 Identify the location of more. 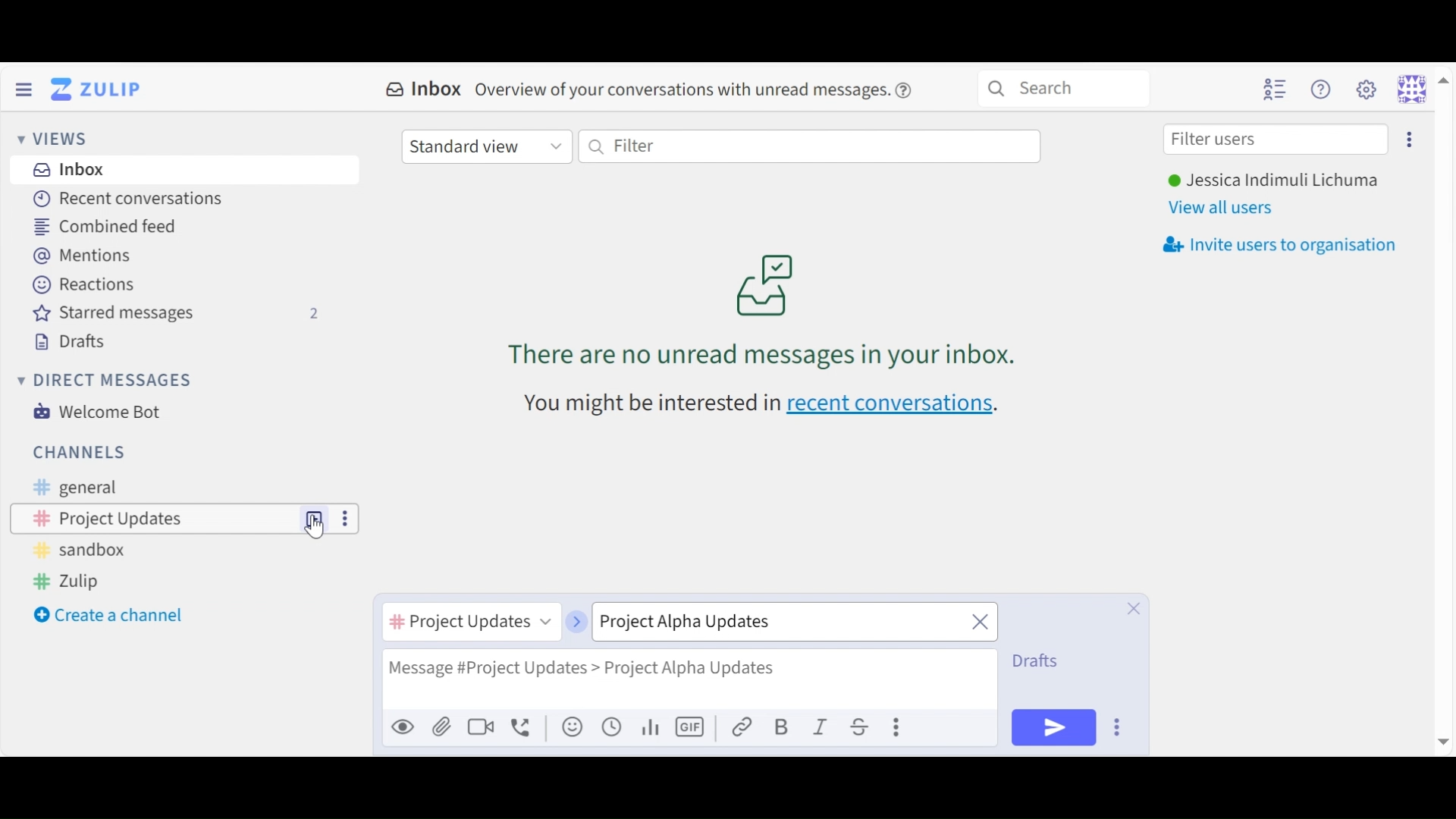
(343, 517).